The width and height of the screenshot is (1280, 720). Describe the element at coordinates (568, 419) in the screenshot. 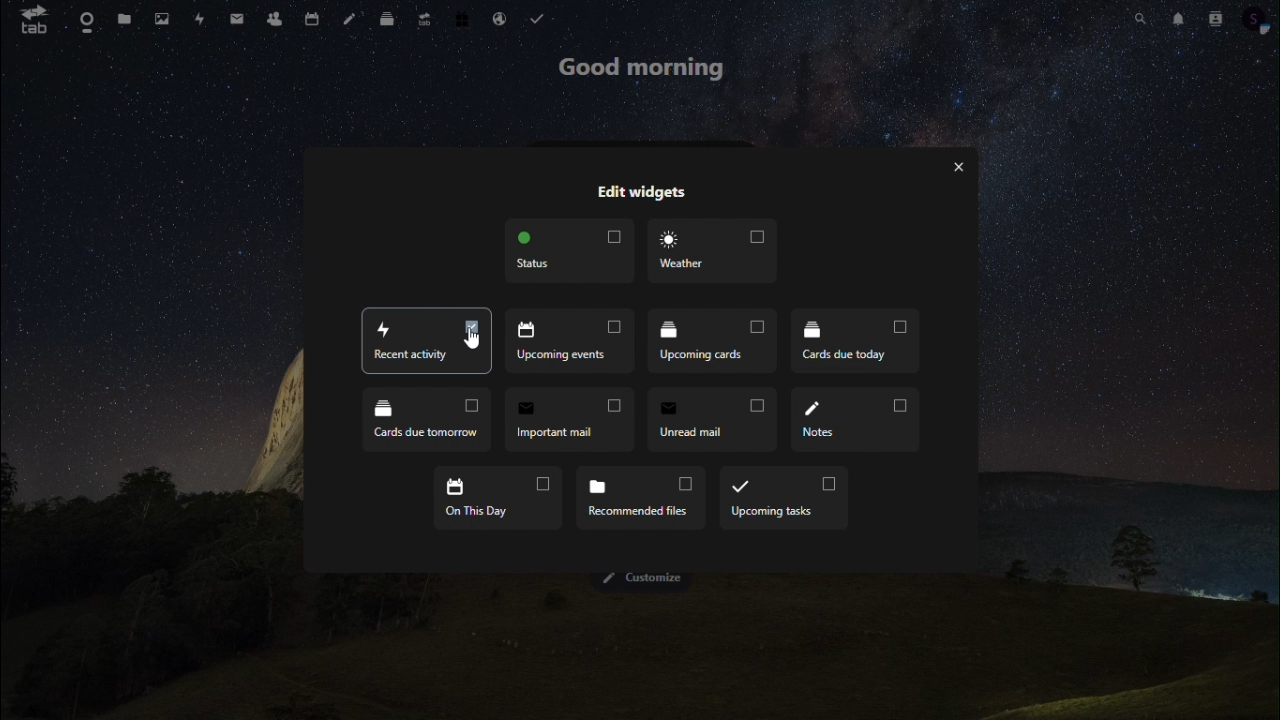

I see `important mail` at that location.